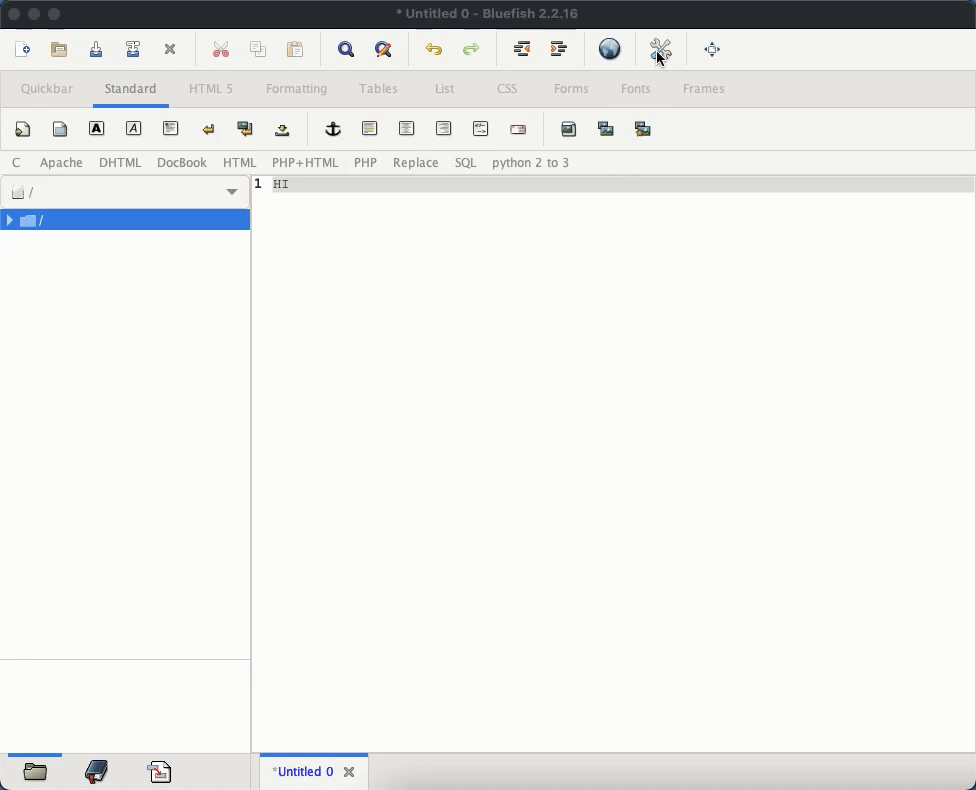 The width and height of the screenshot is (976, 790). What do you see at coordinates (210, 89) in the screenshot?
I see `html 5` at bounding box center [210, 89].